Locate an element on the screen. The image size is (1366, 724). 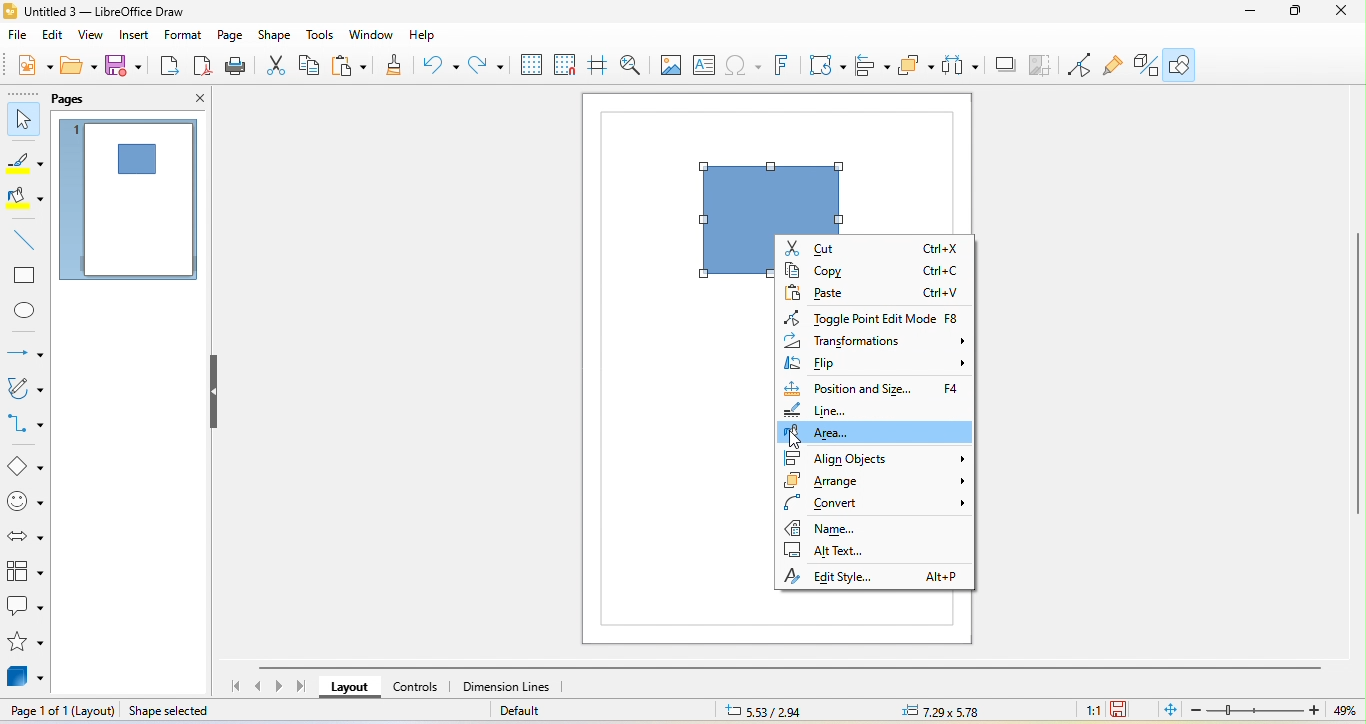
minimze is located at coordinates (1245, 14).